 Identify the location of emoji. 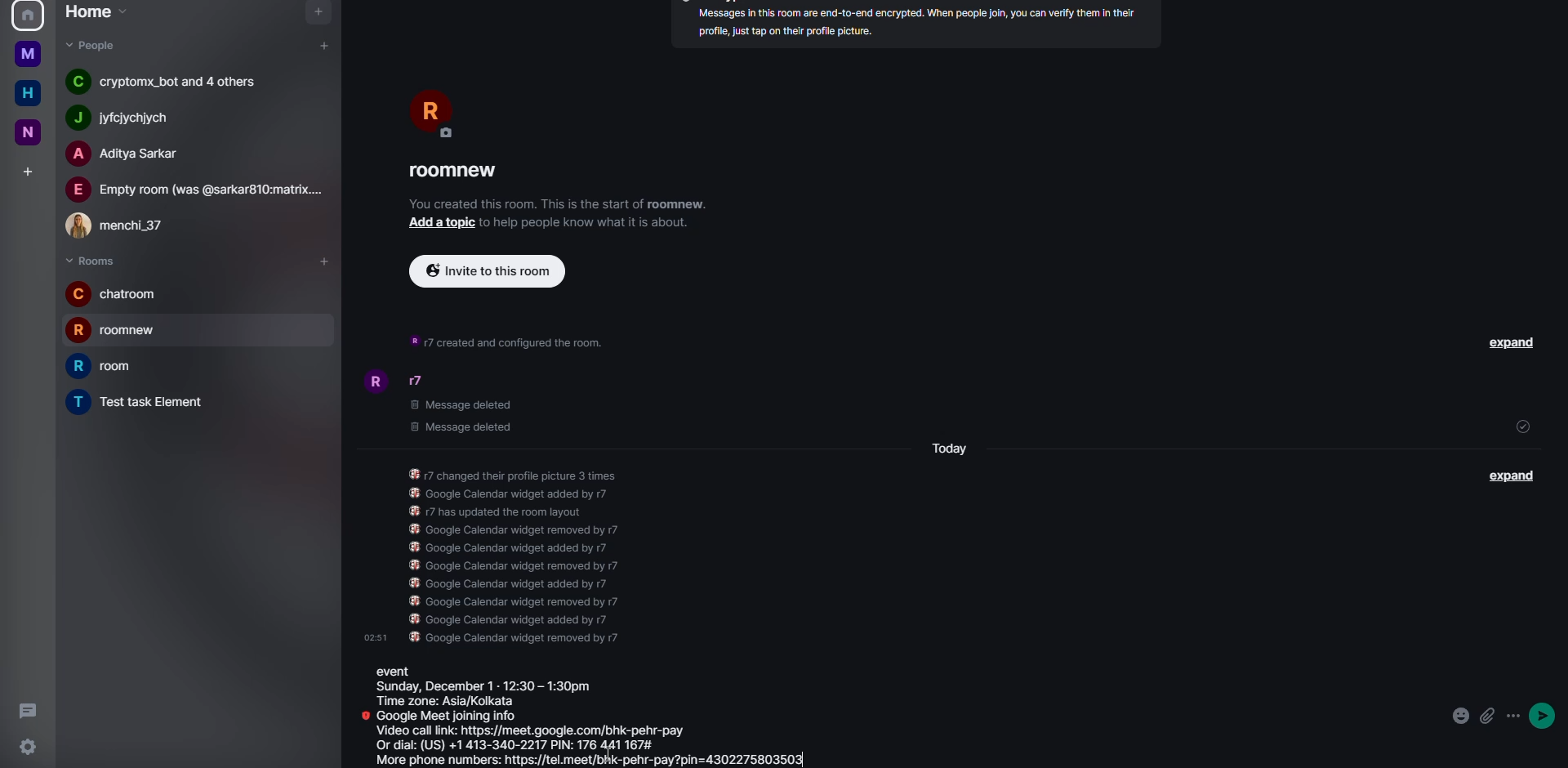
(1460, 712).